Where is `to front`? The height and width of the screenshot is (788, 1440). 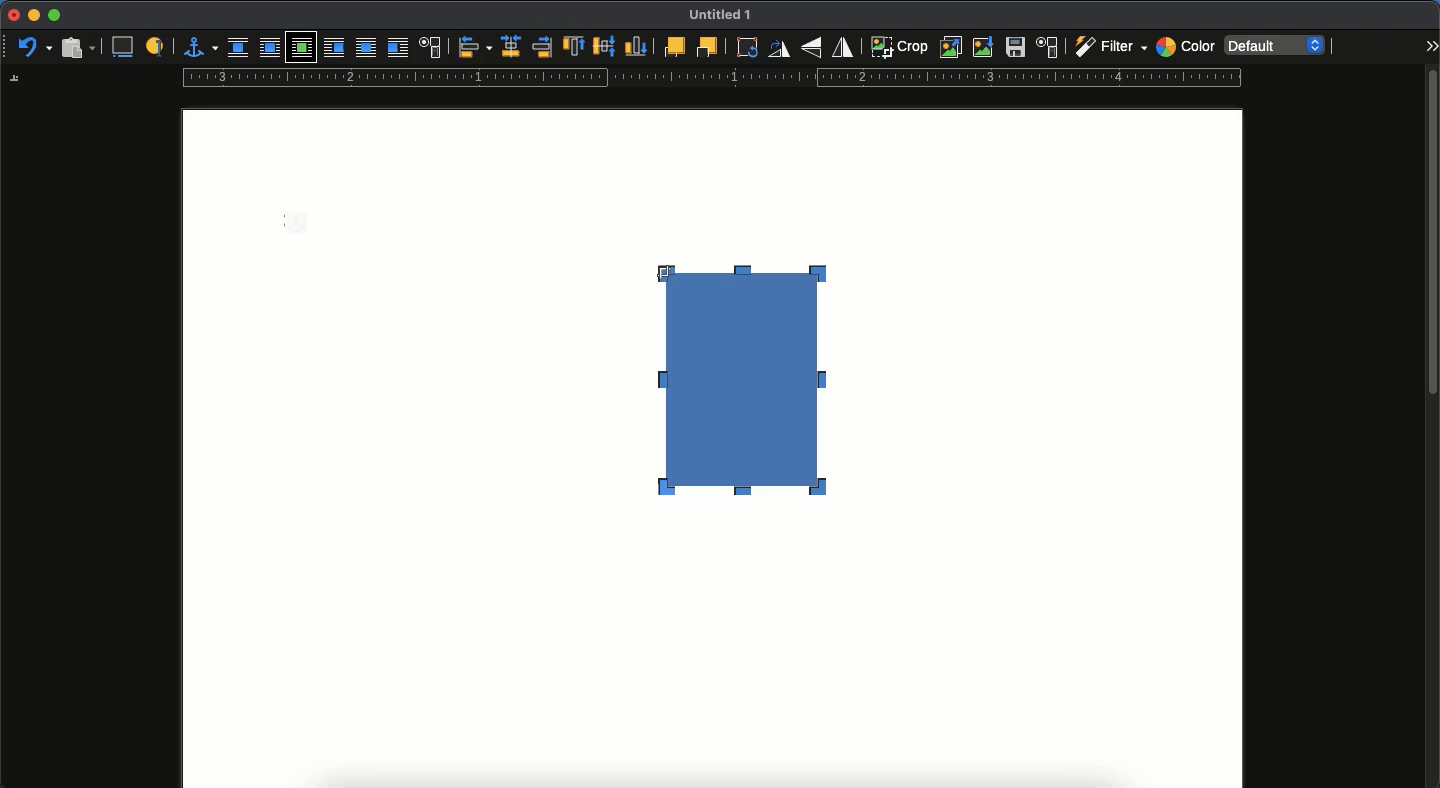
to front is located at coordinates (673, 47).